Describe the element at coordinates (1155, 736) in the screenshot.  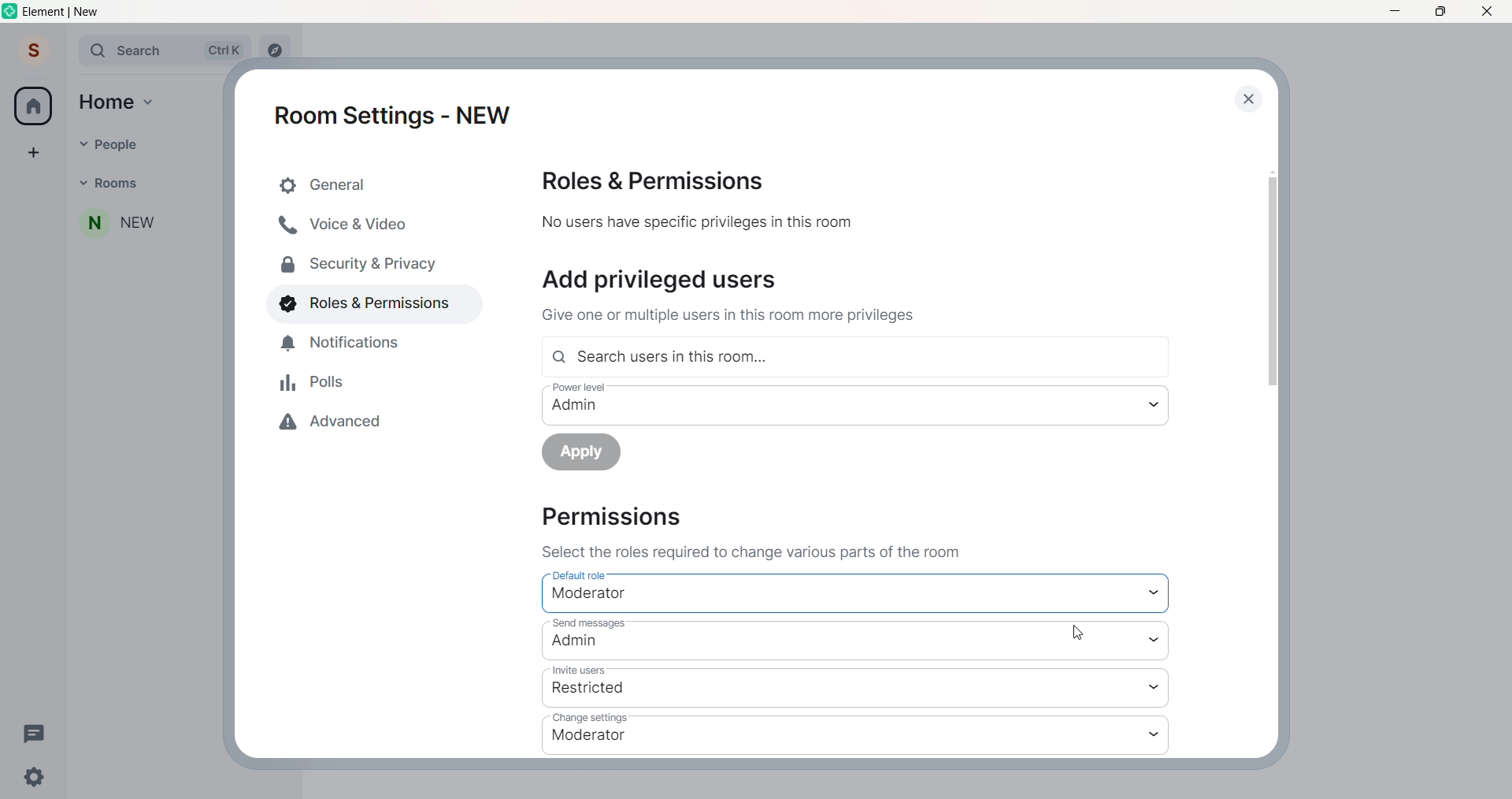
I see `change setting dropdown` at that location.